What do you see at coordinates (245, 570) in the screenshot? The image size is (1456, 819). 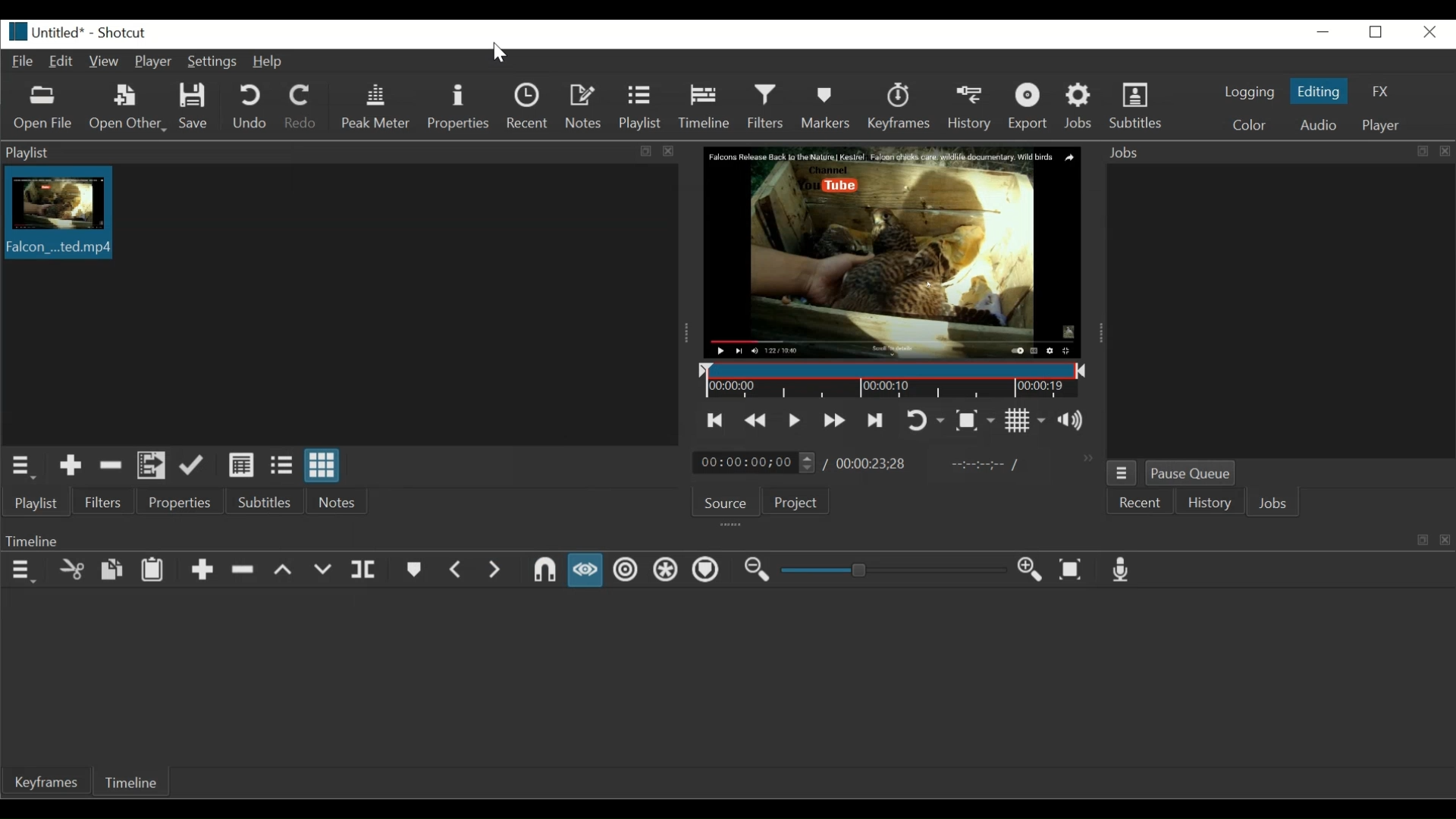 I see `Ripple Delete` at bounding box center [245, 570].